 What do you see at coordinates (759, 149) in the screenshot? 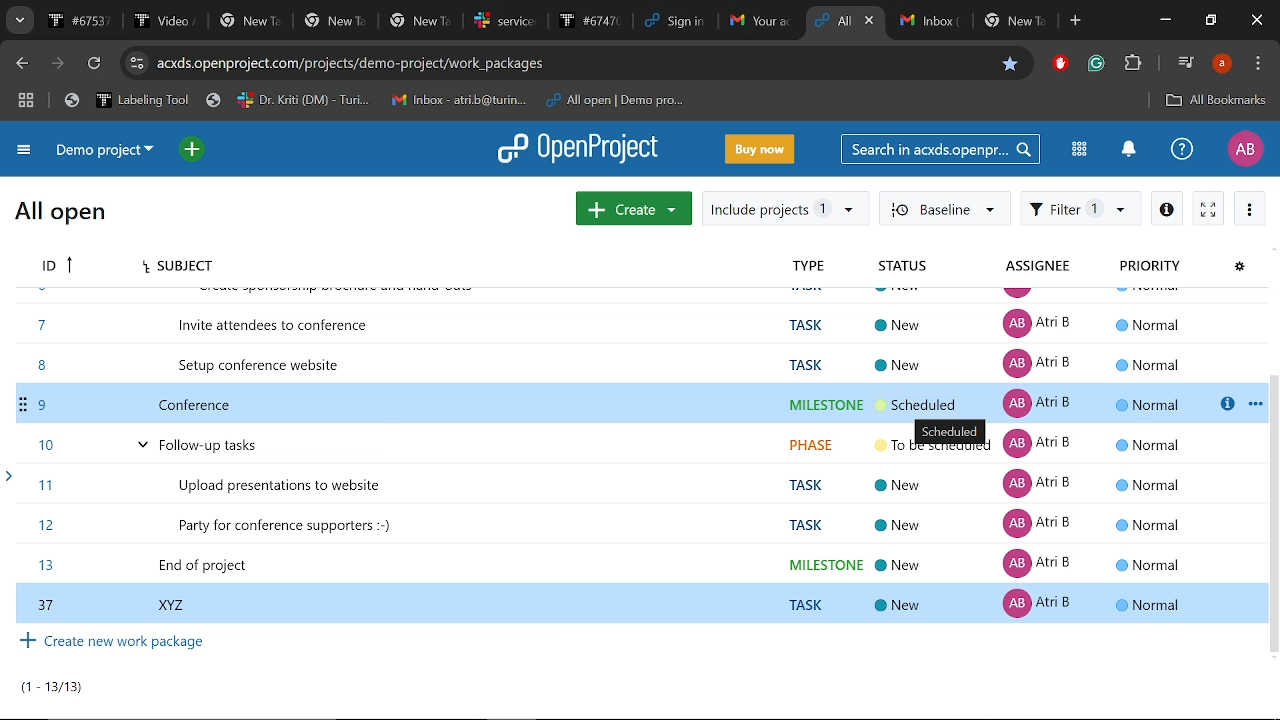
I see `` at bounding box center [759, 149].